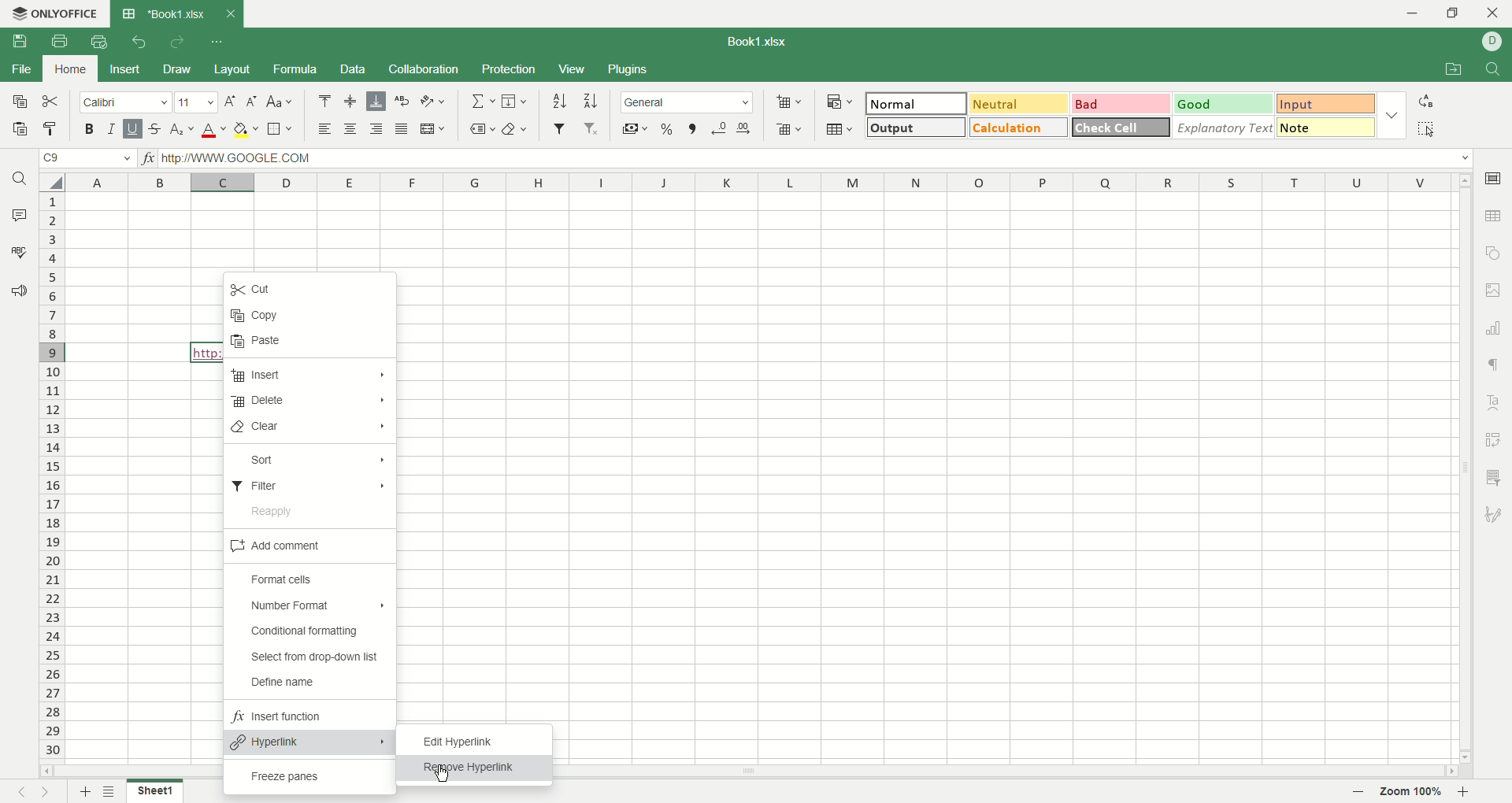 The height and width of the screenshot is (803, 1512). I want to click on insert, so click(124, 70).